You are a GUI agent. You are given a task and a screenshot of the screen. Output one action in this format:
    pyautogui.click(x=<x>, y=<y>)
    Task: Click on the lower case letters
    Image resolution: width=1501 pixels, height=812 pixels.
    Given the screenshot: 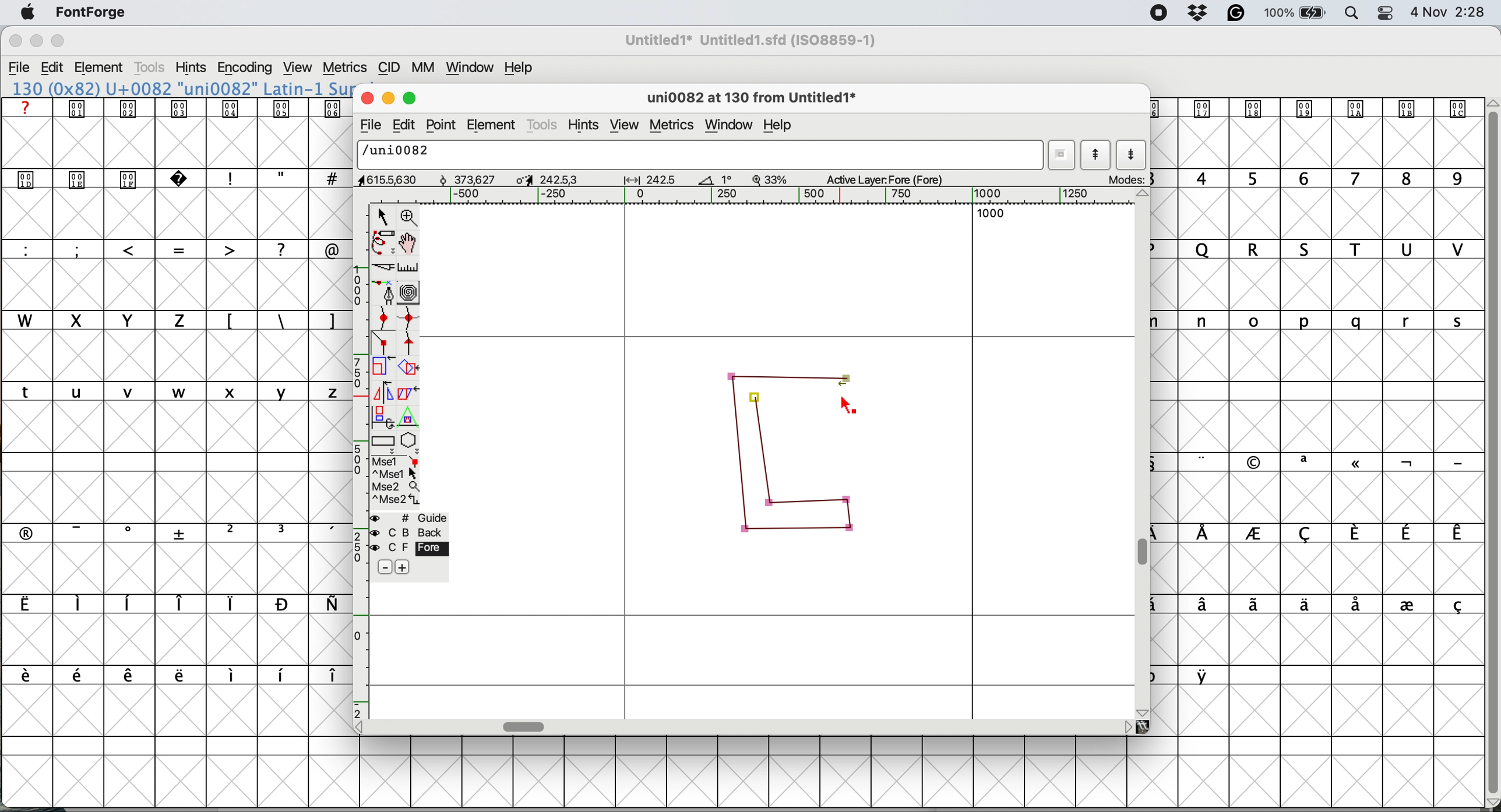 What is the action you would take?
    pyautogui.click(x=177, y=391)
    